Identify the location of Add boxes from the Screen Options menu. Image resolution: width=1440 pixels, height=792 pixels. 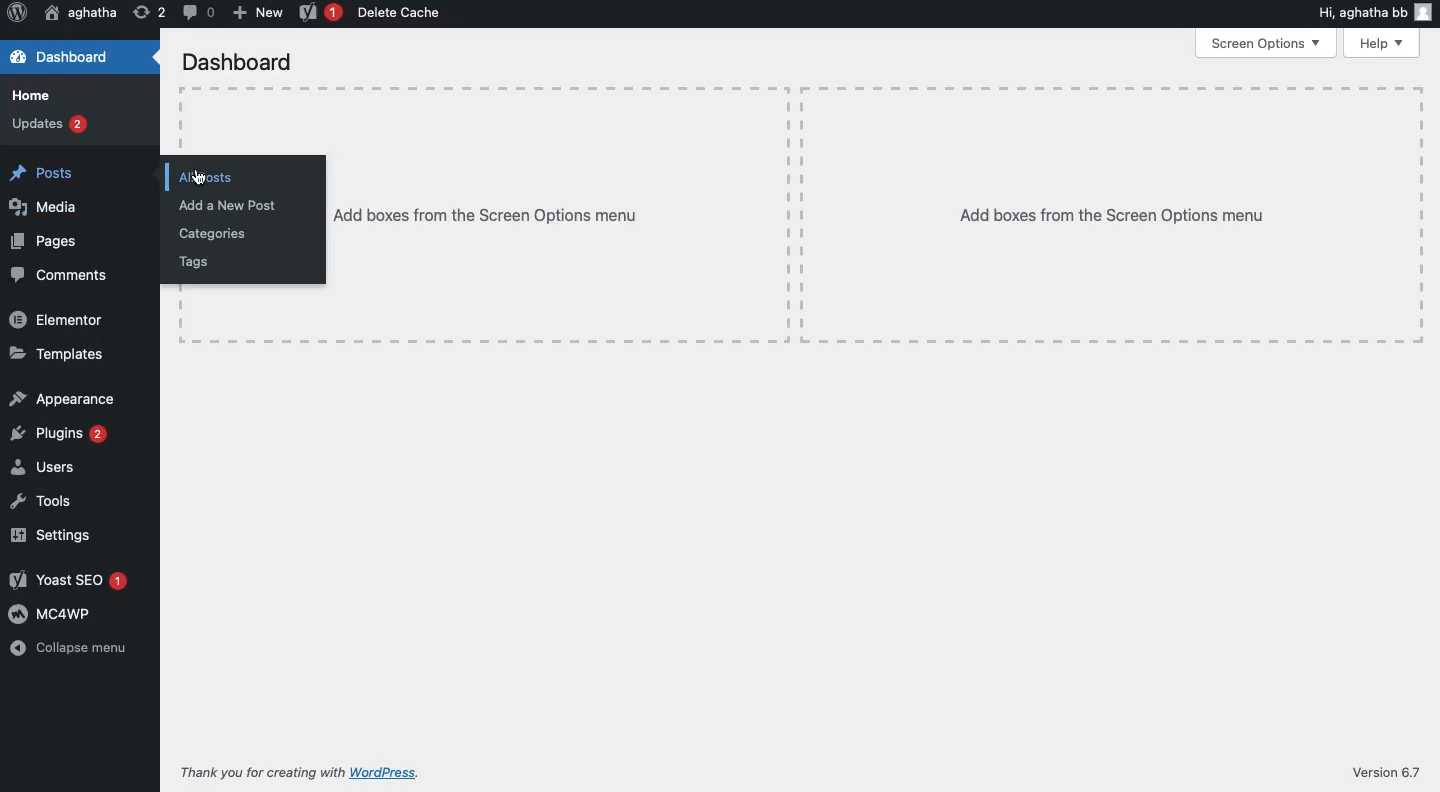
(1112, 216).